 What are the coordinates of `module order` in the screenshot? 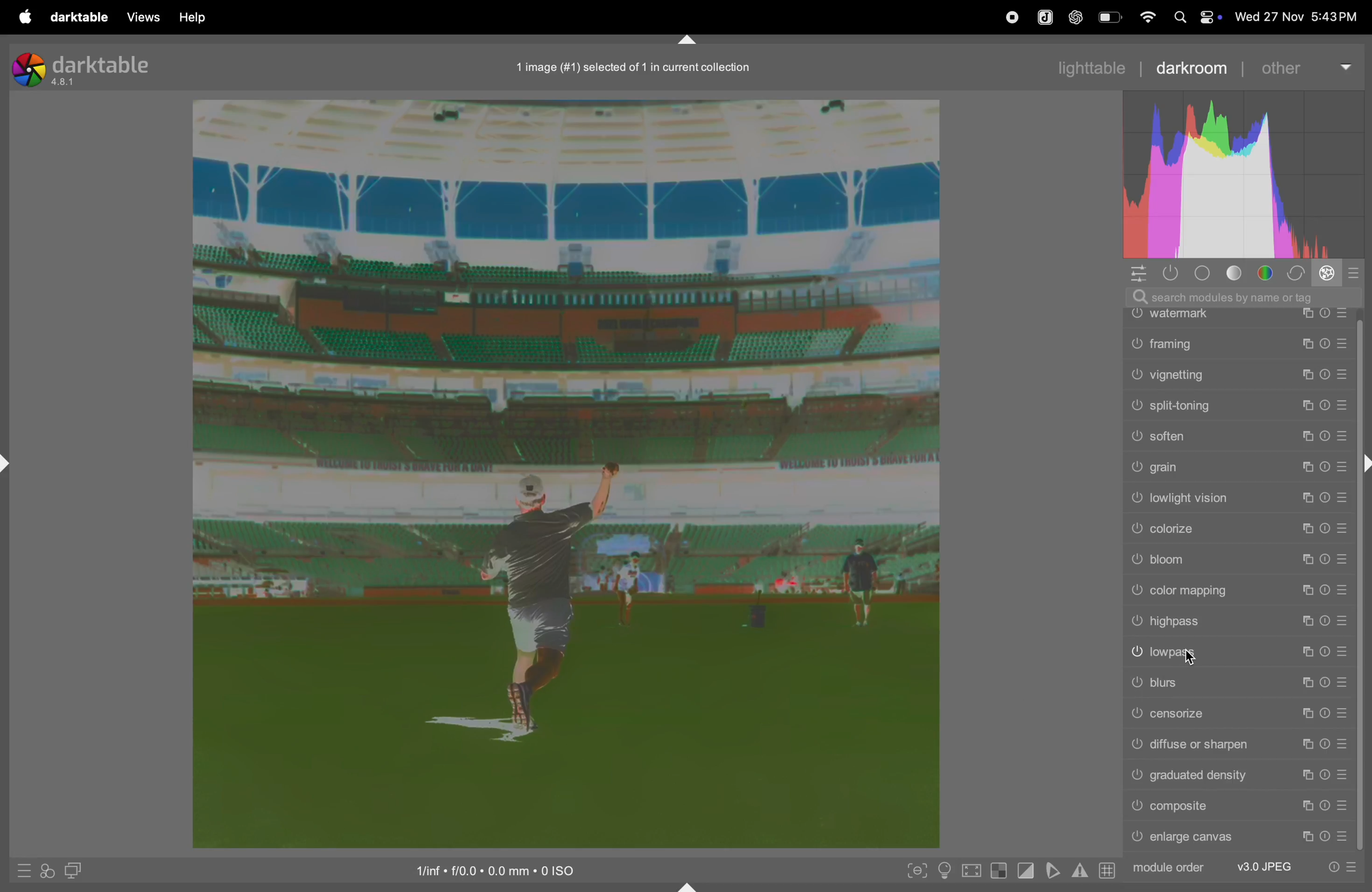 It's located at (1245, 866).